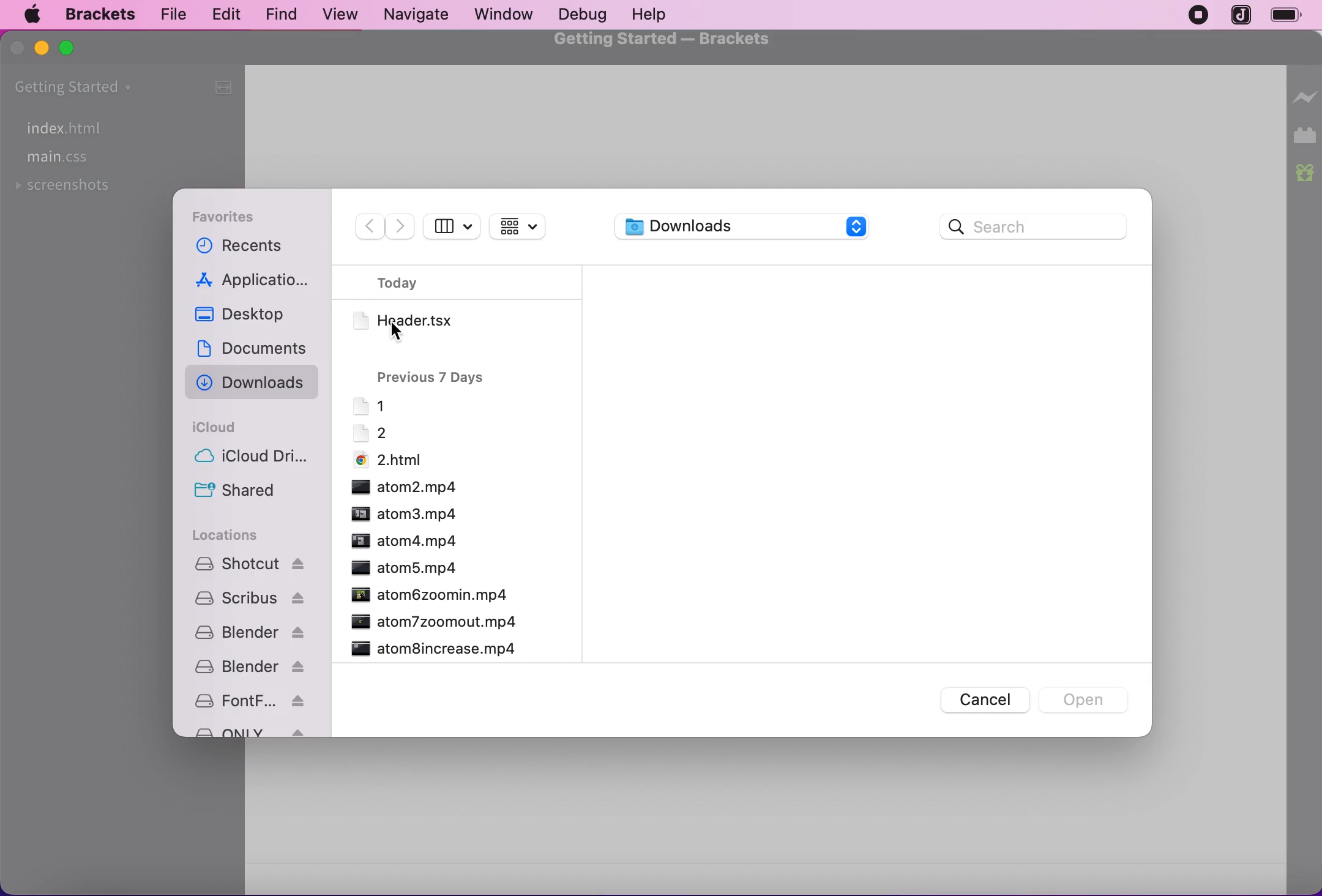  What do you see at coordinates (250, 667) in the screenshot?
I see `blender` at bounding box center [250, 667].